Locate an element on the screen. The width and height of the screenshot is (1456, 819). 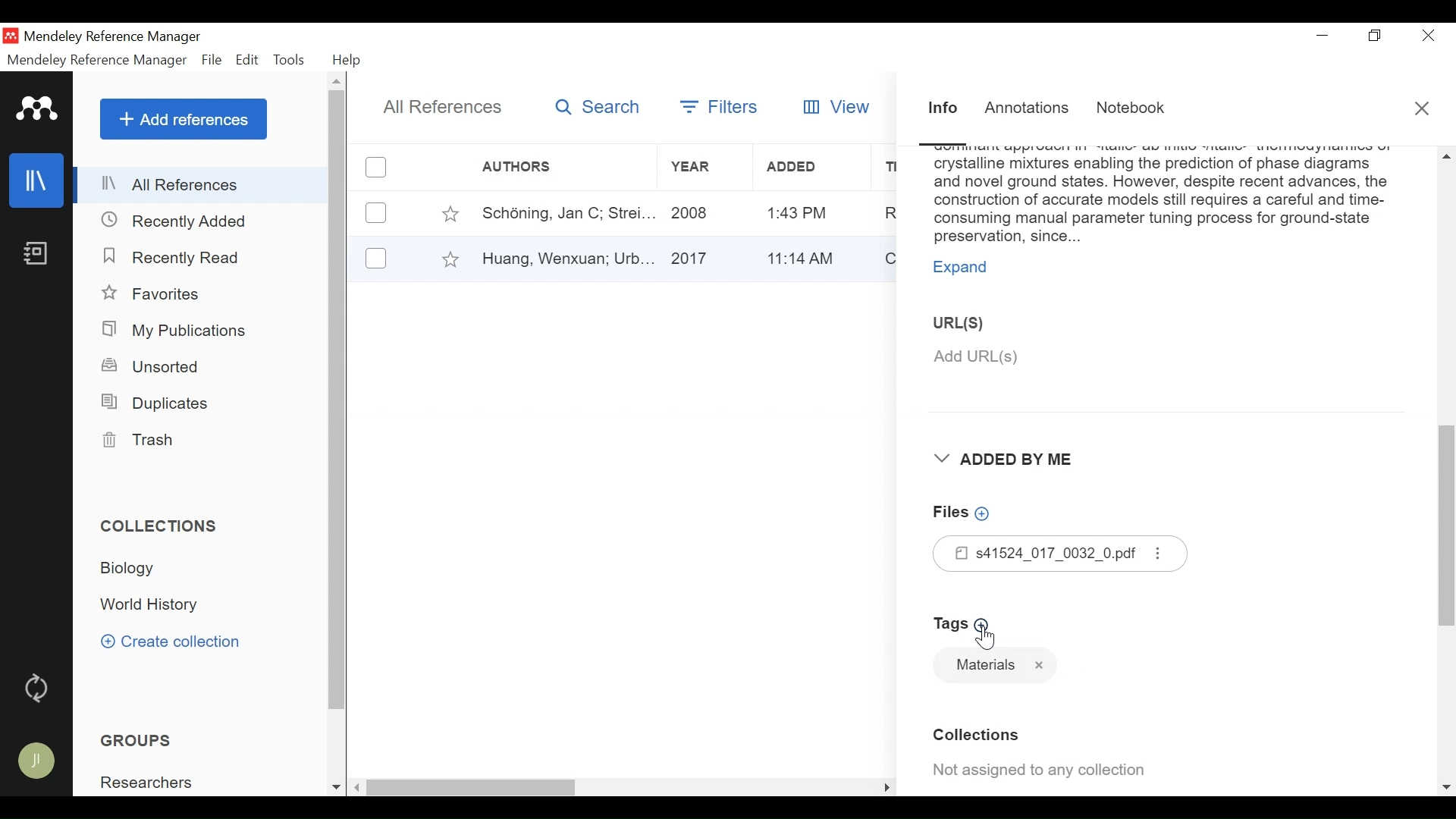
Year is located at coordinates (702, 257).